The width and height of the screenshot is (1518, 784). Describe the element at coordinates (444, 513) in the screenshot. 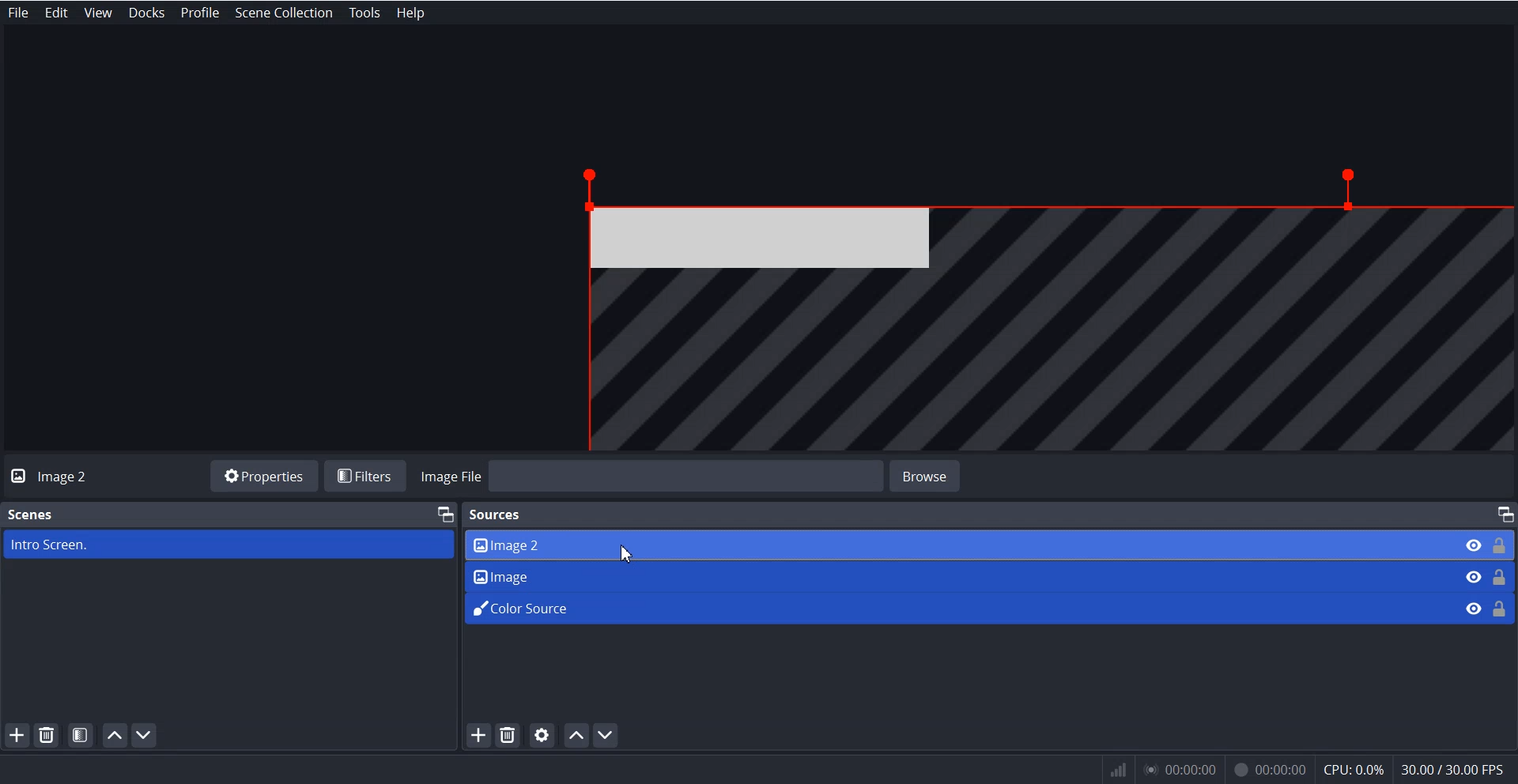

I see `Maximize` at that location.